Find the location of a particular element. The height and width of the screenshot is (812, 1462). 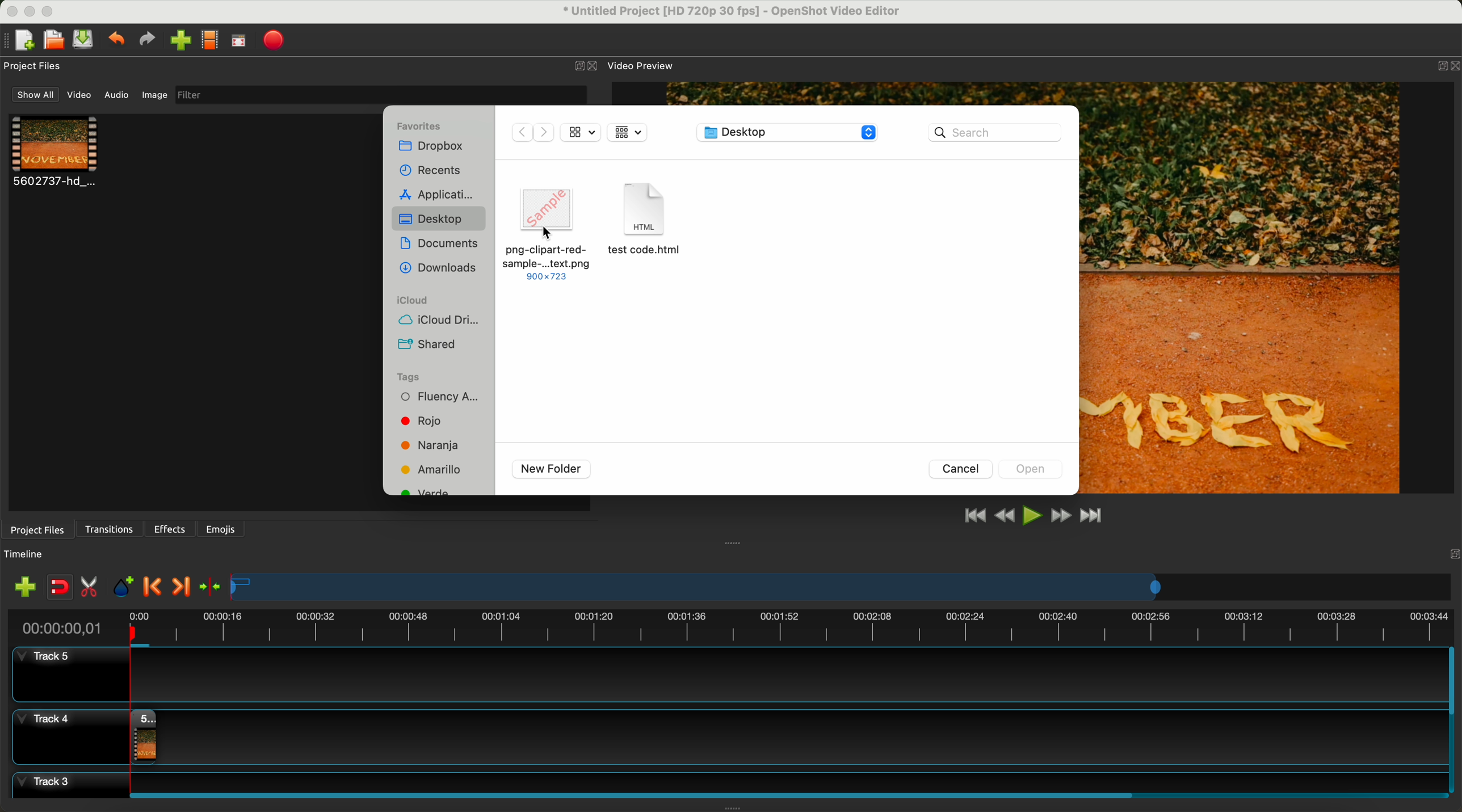

track 3 is located at coordinates (725, 780).